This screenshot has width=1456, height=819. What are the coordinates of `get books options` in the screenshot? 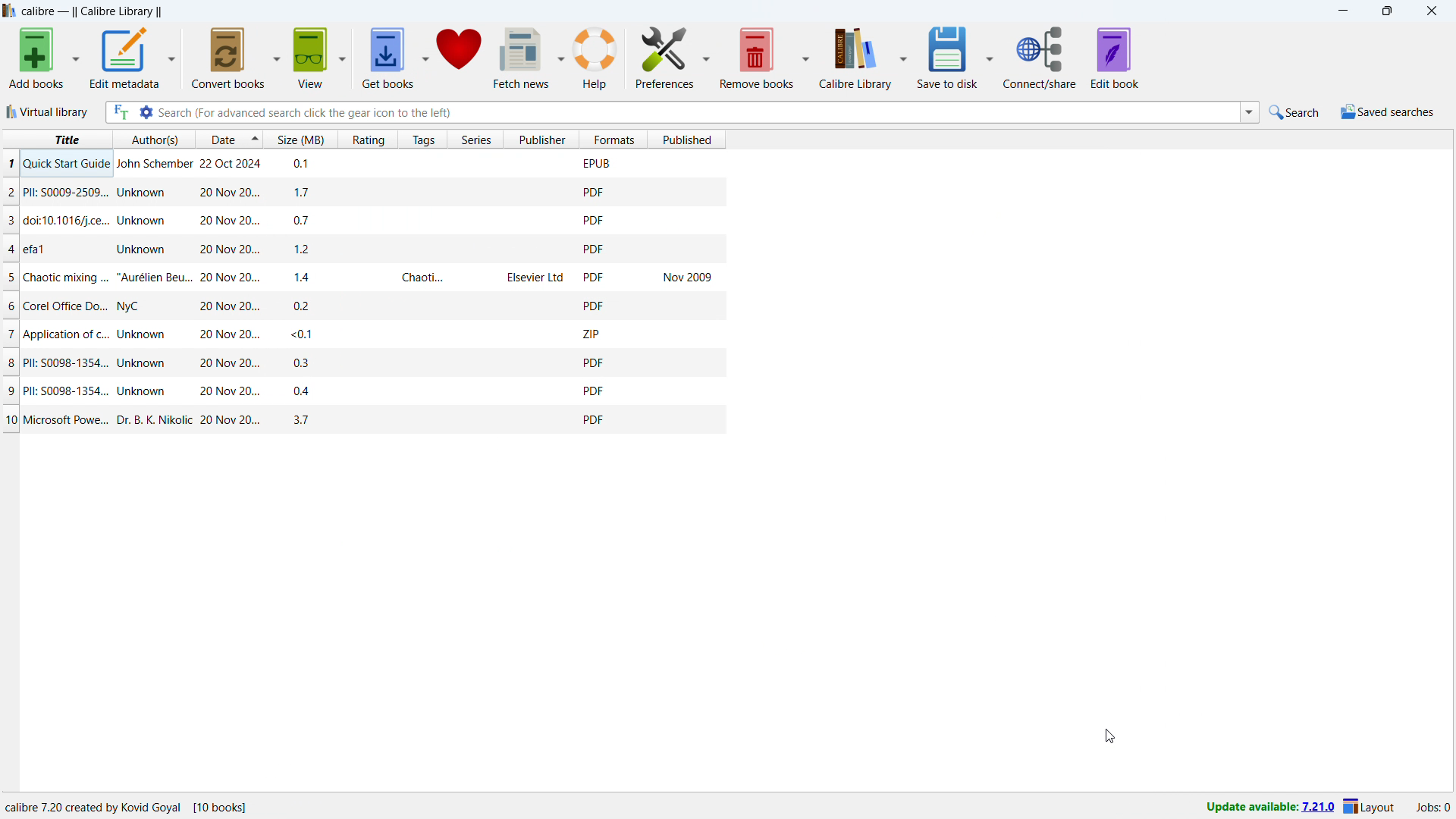 It's located at (425, 58).